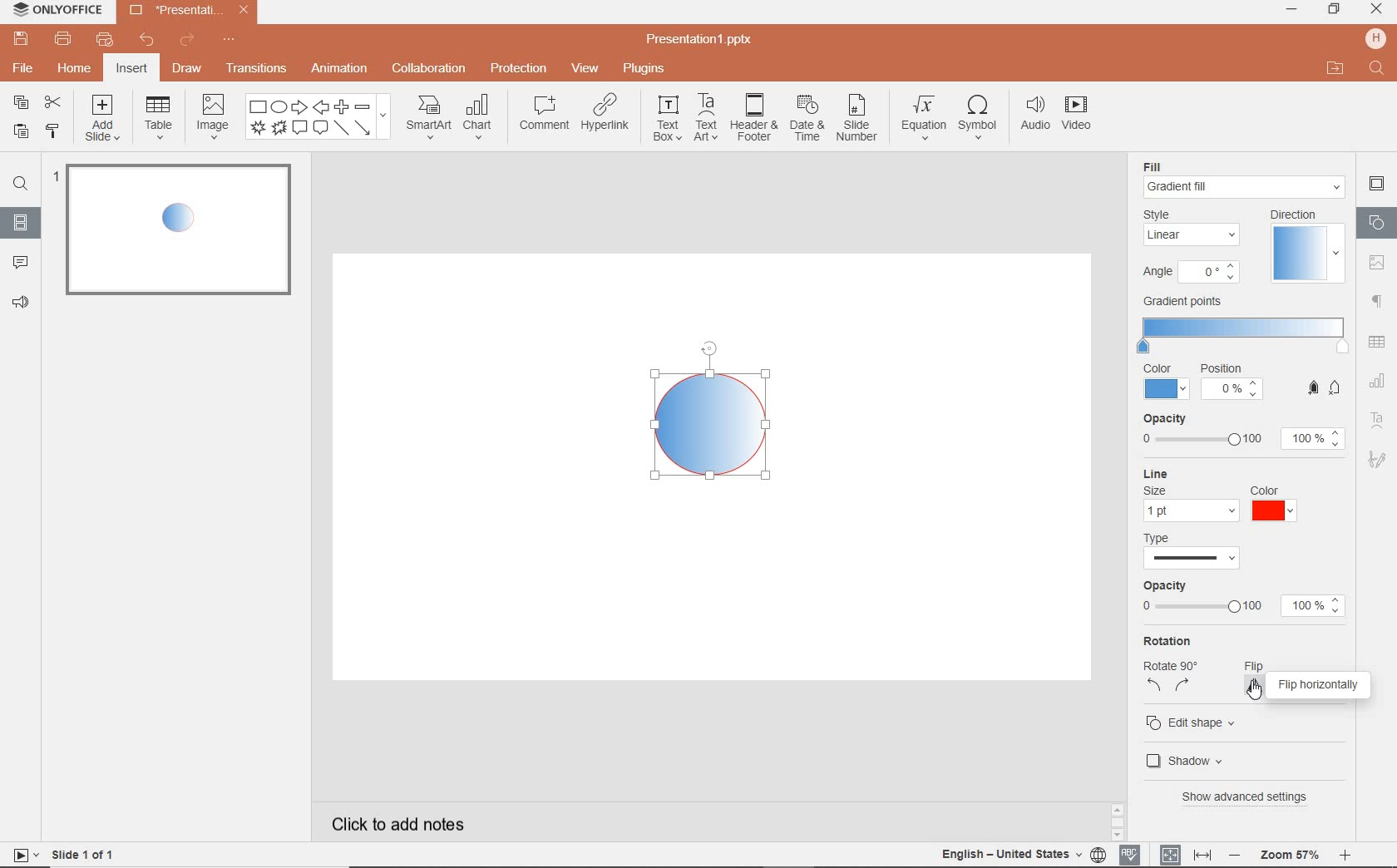  What do you see at coordinates (715, 410) in the screenshot?
I see `gradient added` at bounding box center [715, 410].